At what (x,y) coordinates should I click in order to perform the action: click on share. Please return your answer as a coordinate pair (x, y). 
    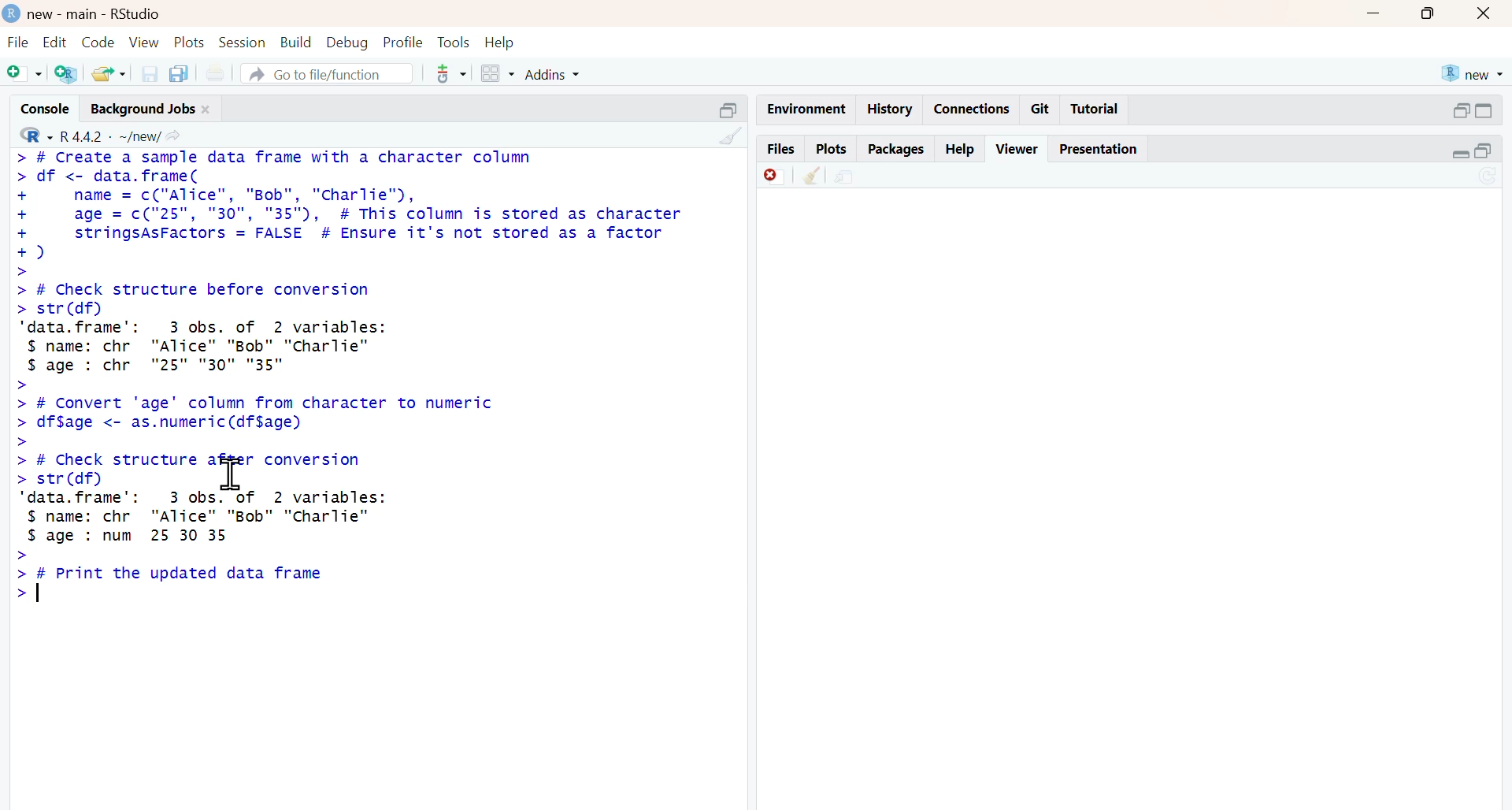
    Looking at the image, I should click on (845, 177).